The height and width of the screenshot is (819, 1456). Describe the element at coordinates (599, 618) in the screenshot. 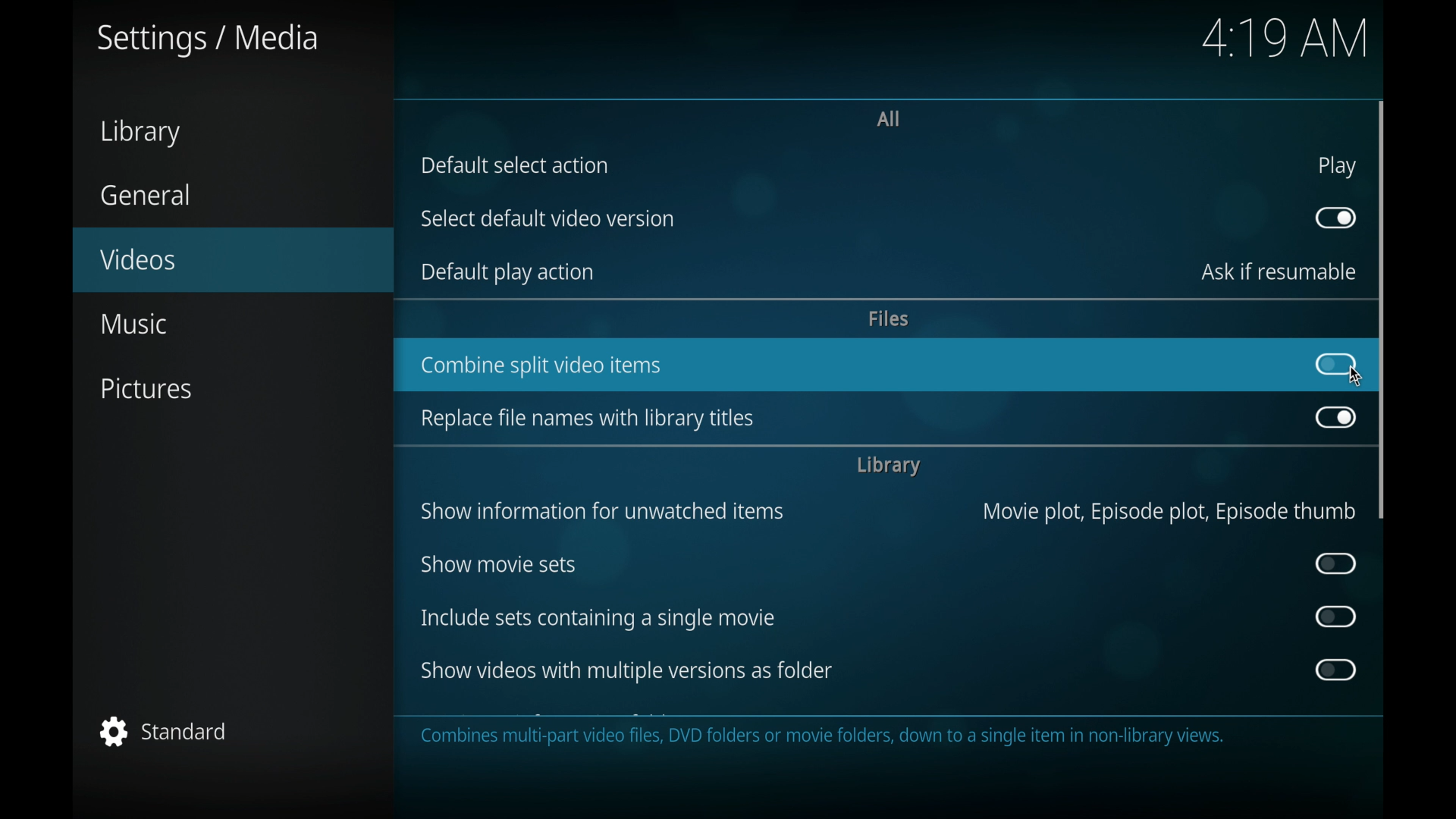

I see `include sets` at that location.